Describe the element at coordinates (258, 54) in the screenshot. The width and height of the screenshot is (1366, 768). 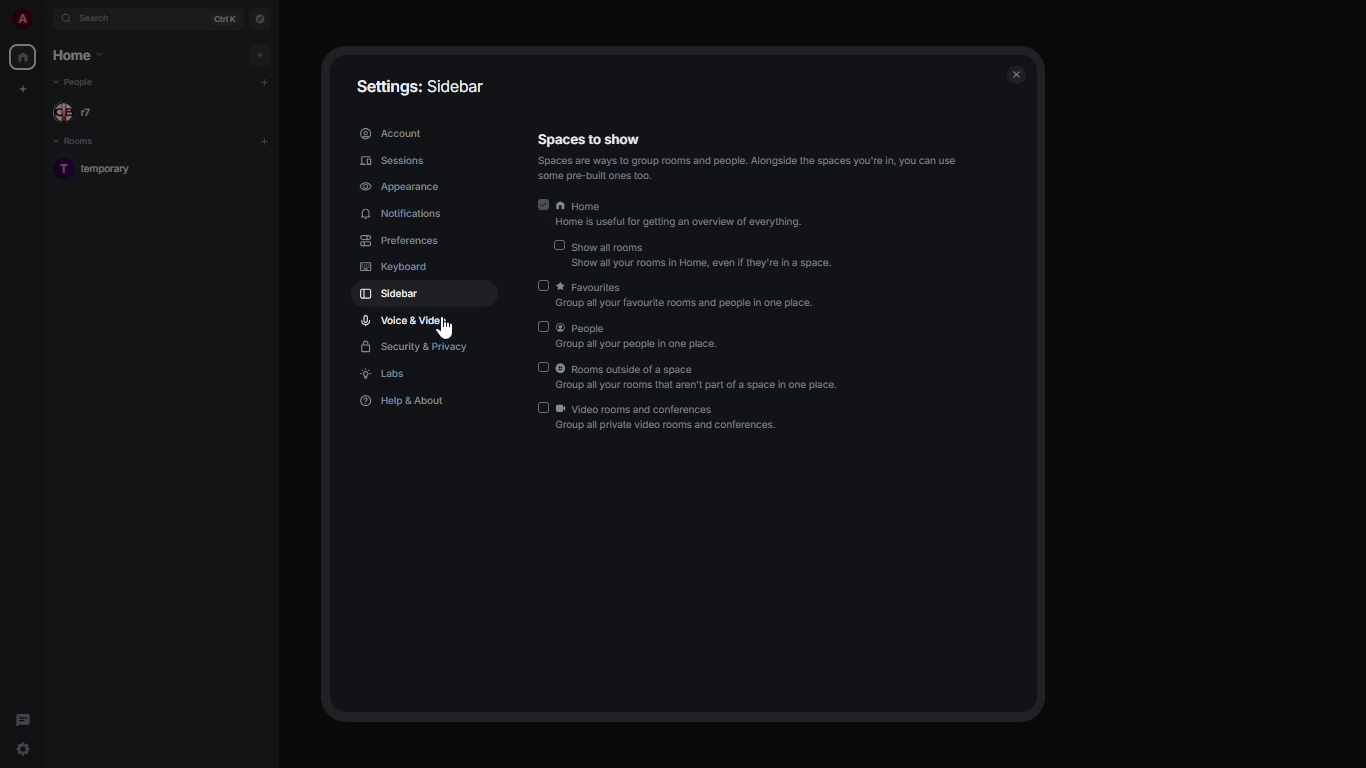
I see `add` at that location.